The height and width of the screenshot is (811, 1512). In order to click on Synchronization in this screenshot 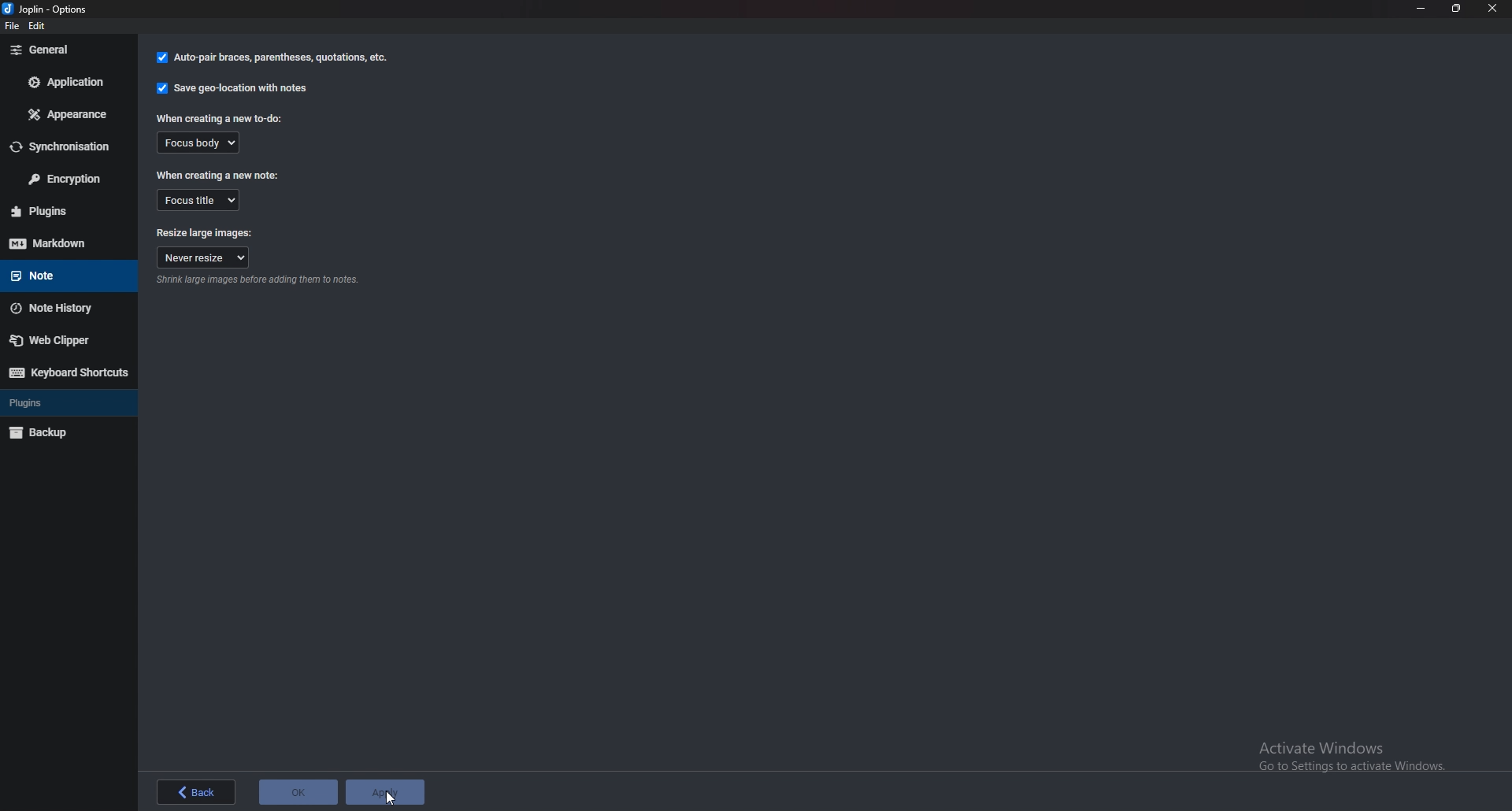, I will do `click(68, 146)`.